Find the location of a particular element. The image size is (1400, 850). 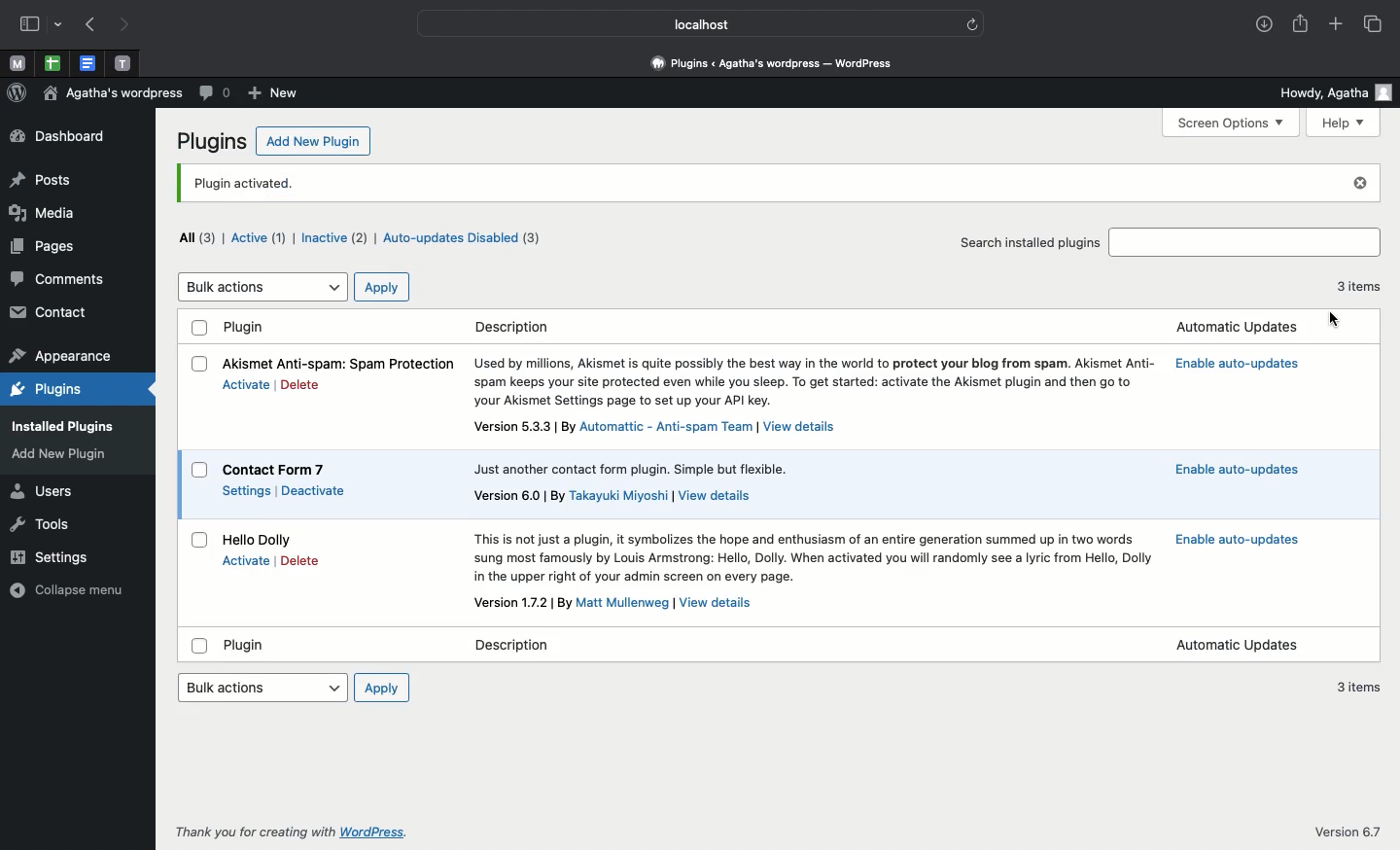

Comment is located at coordinates (213, 94).